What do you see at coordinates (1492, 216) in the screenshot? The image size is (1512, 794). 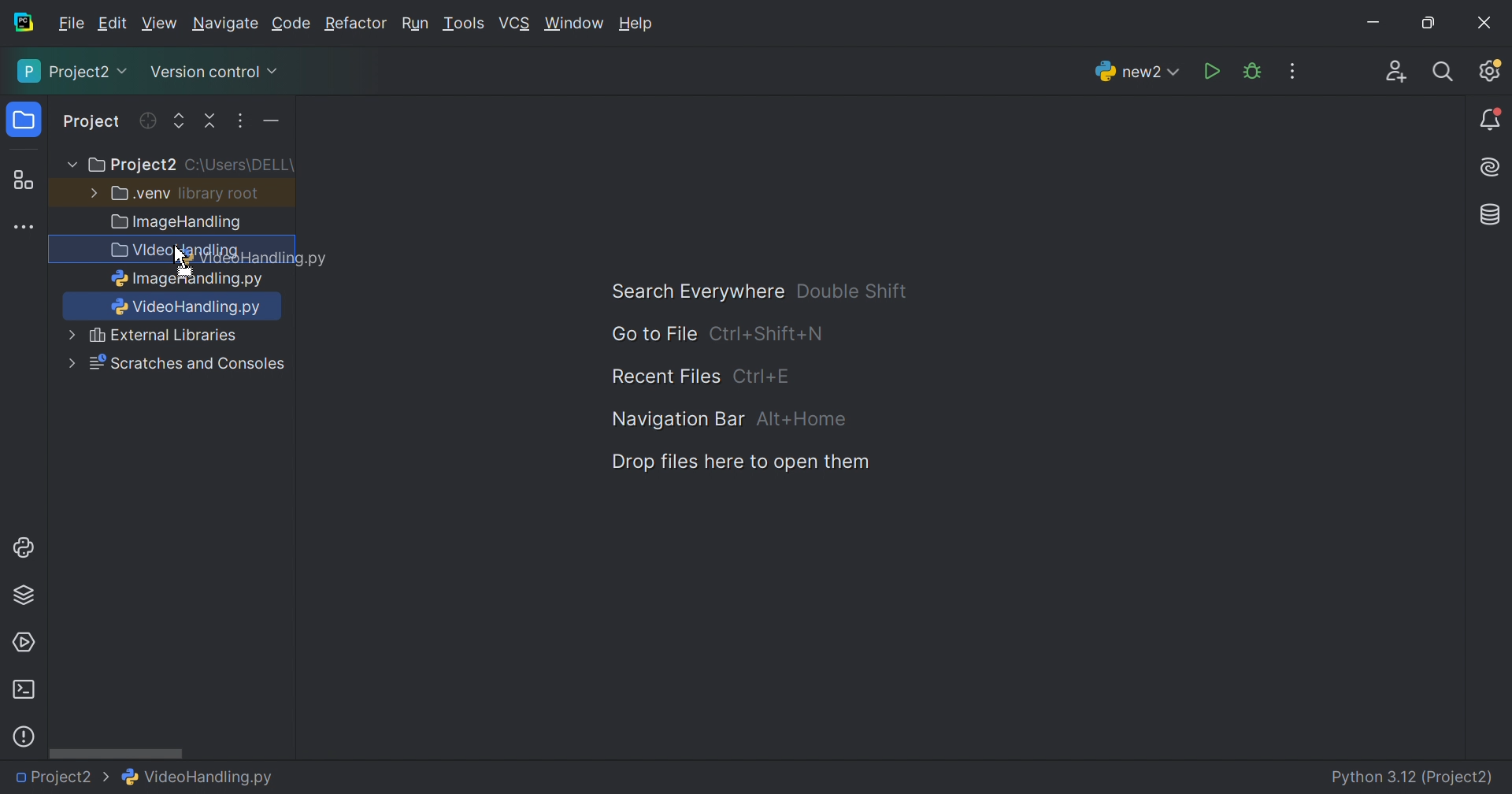 I see `Database` at bounding box center [1492, 216].